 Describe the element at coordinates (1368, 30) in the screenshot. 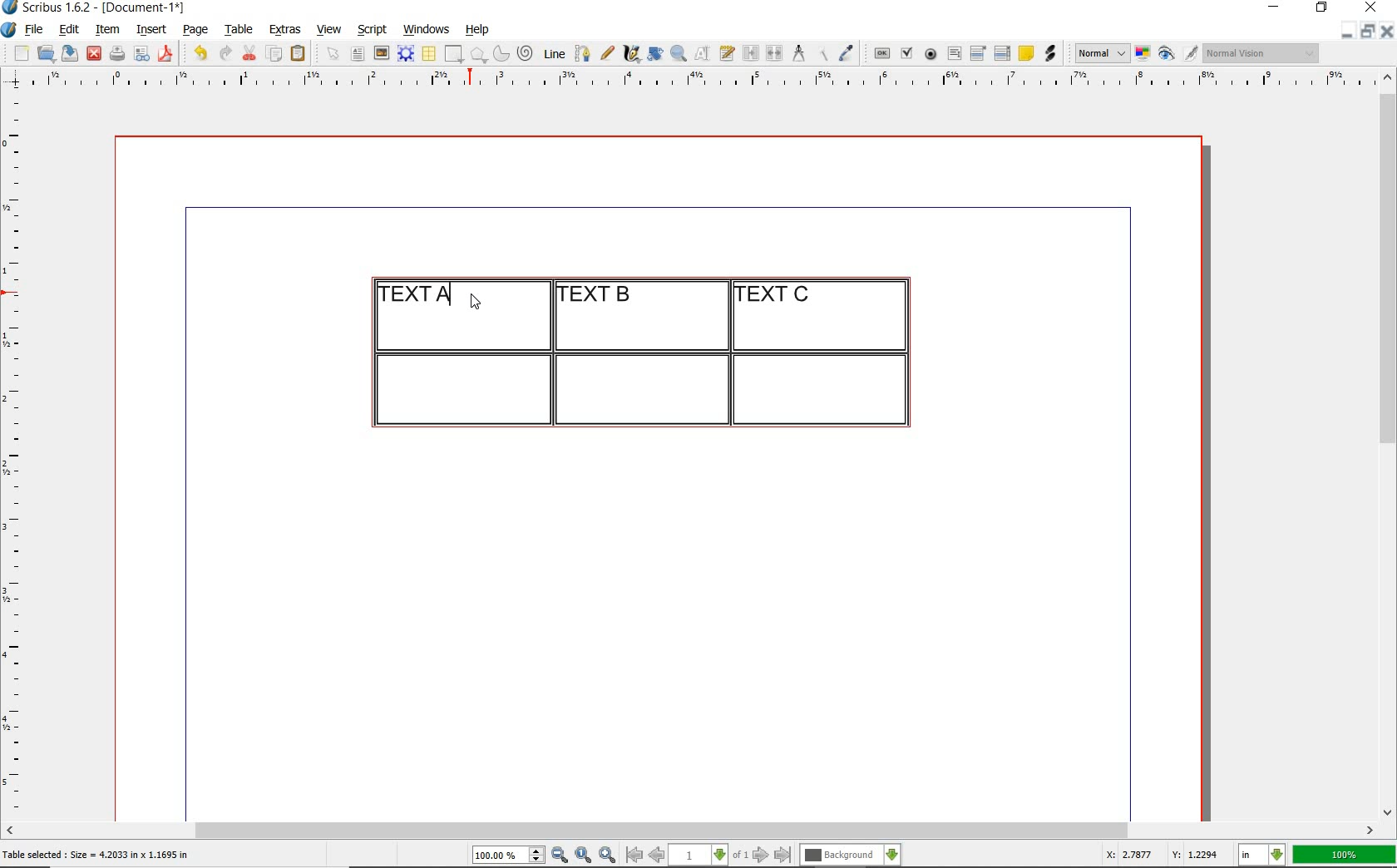

I see `restore` at that location.